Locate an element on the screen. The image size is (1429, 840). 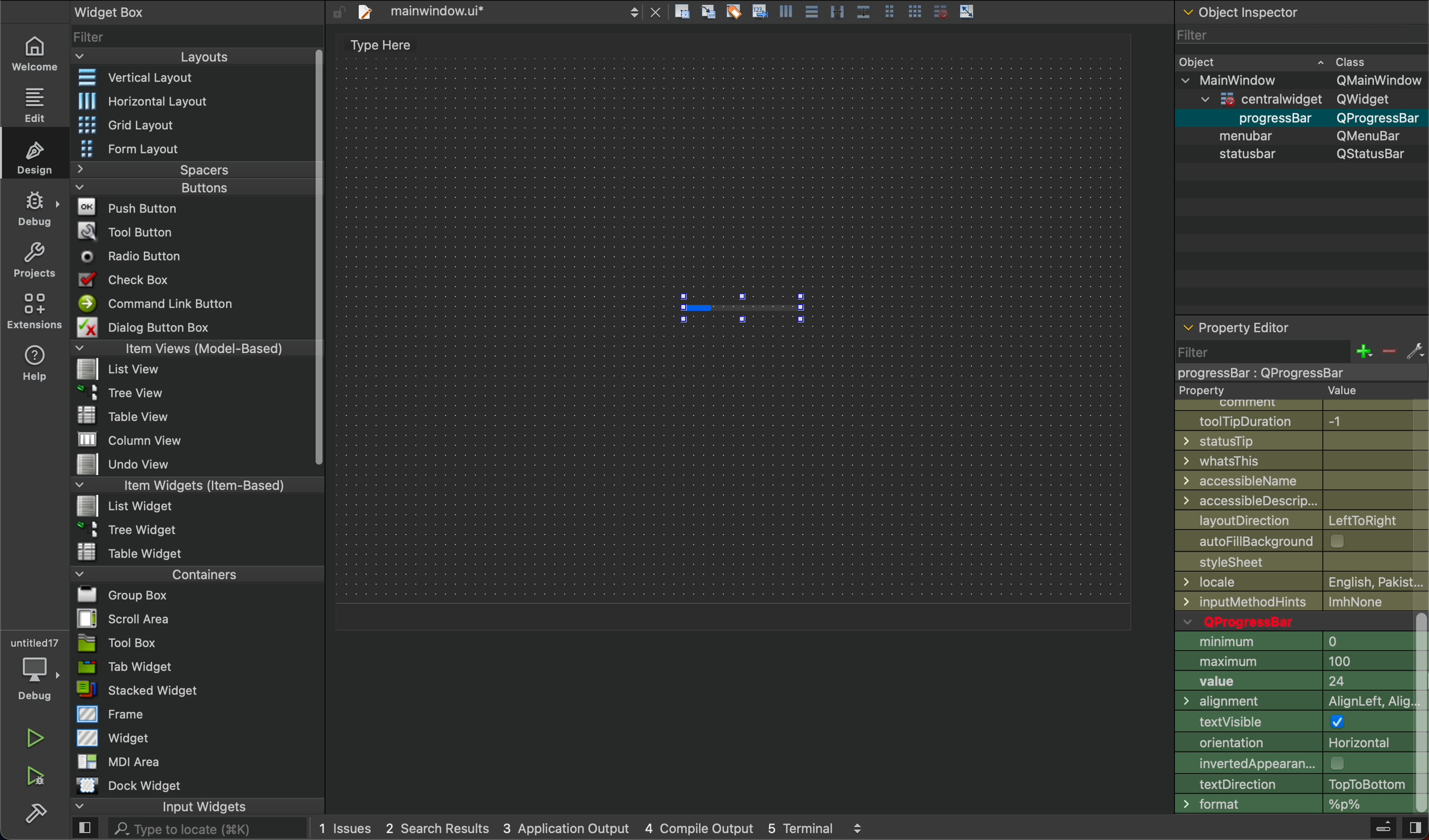
Buttons is located at coordinates (171, 188).